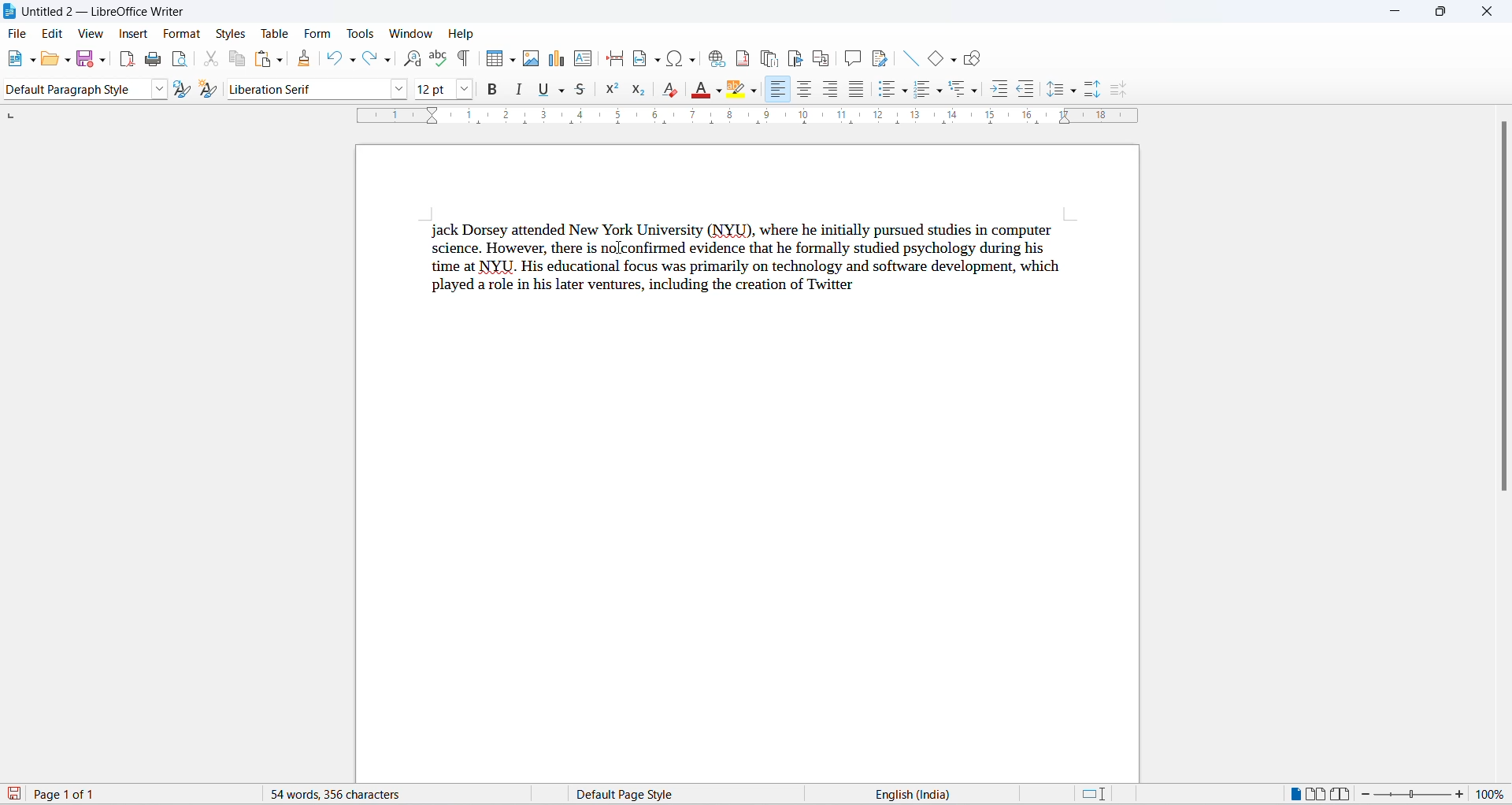 This screenshot has height=805, width=1512. Describe the element at coordinates (802, 88) in the screenshot. I see `text align center` at that location.